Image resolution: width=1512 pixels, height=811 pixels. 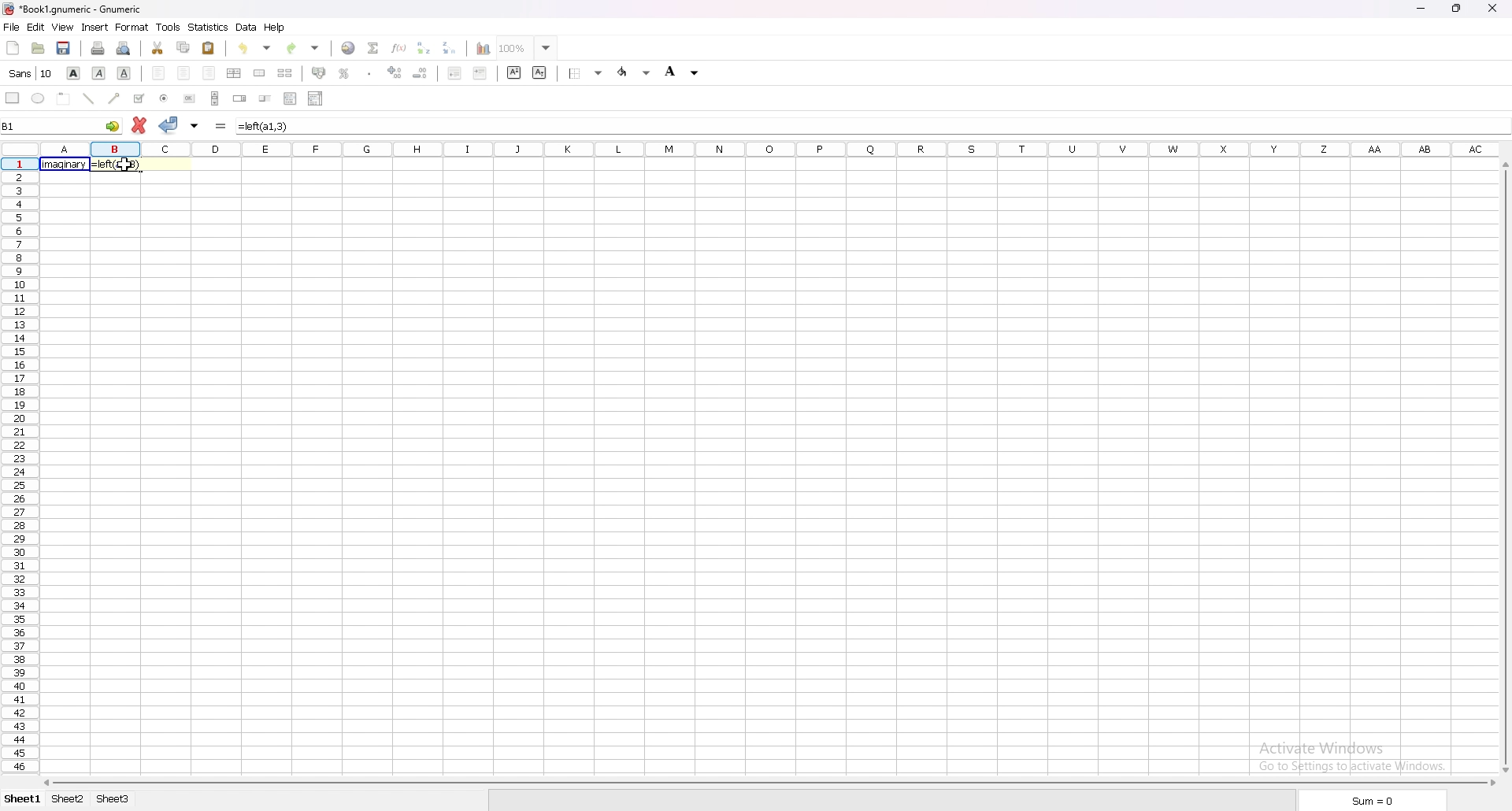 What do you see at coordinates (139, 98) in the screenshot?
I see `tickbox` at bounding box center [139, 98].